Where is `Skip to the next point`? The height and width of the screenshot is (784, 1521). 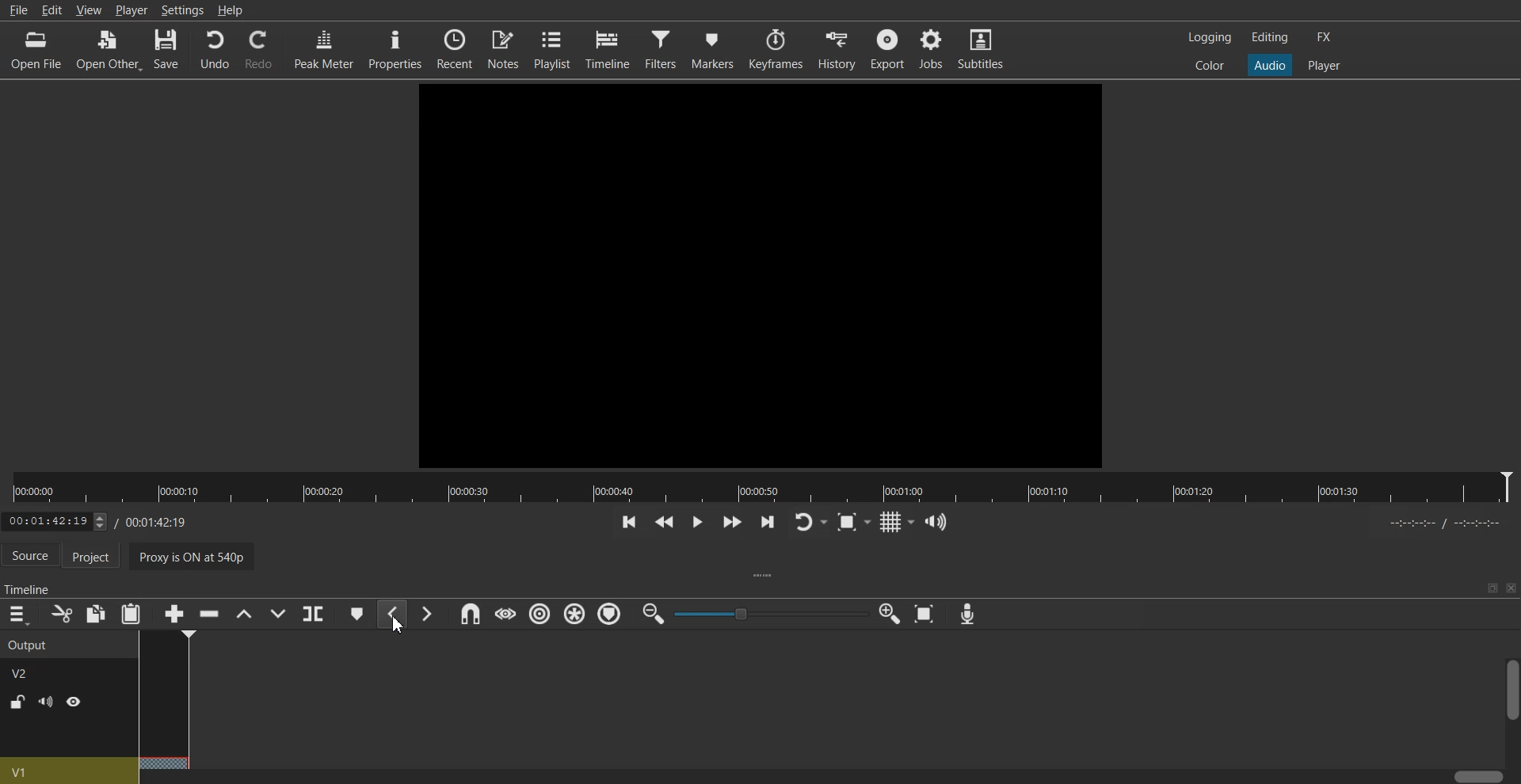
Skip to the next point is located at coordinates (766, 523).